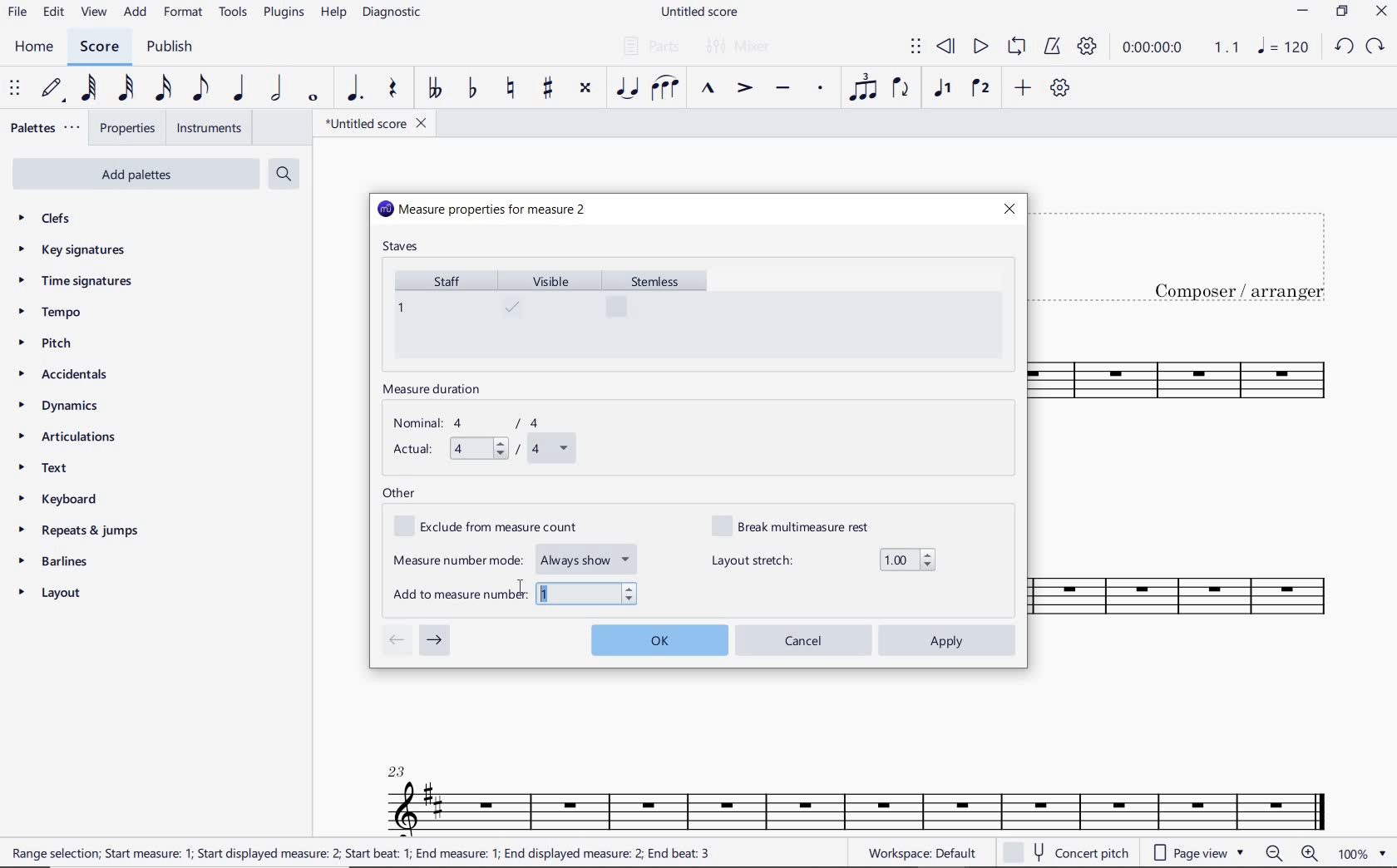 The height and width of the screenshot is (868, 1397). I want to click on ACCENT, so click(743, 90).